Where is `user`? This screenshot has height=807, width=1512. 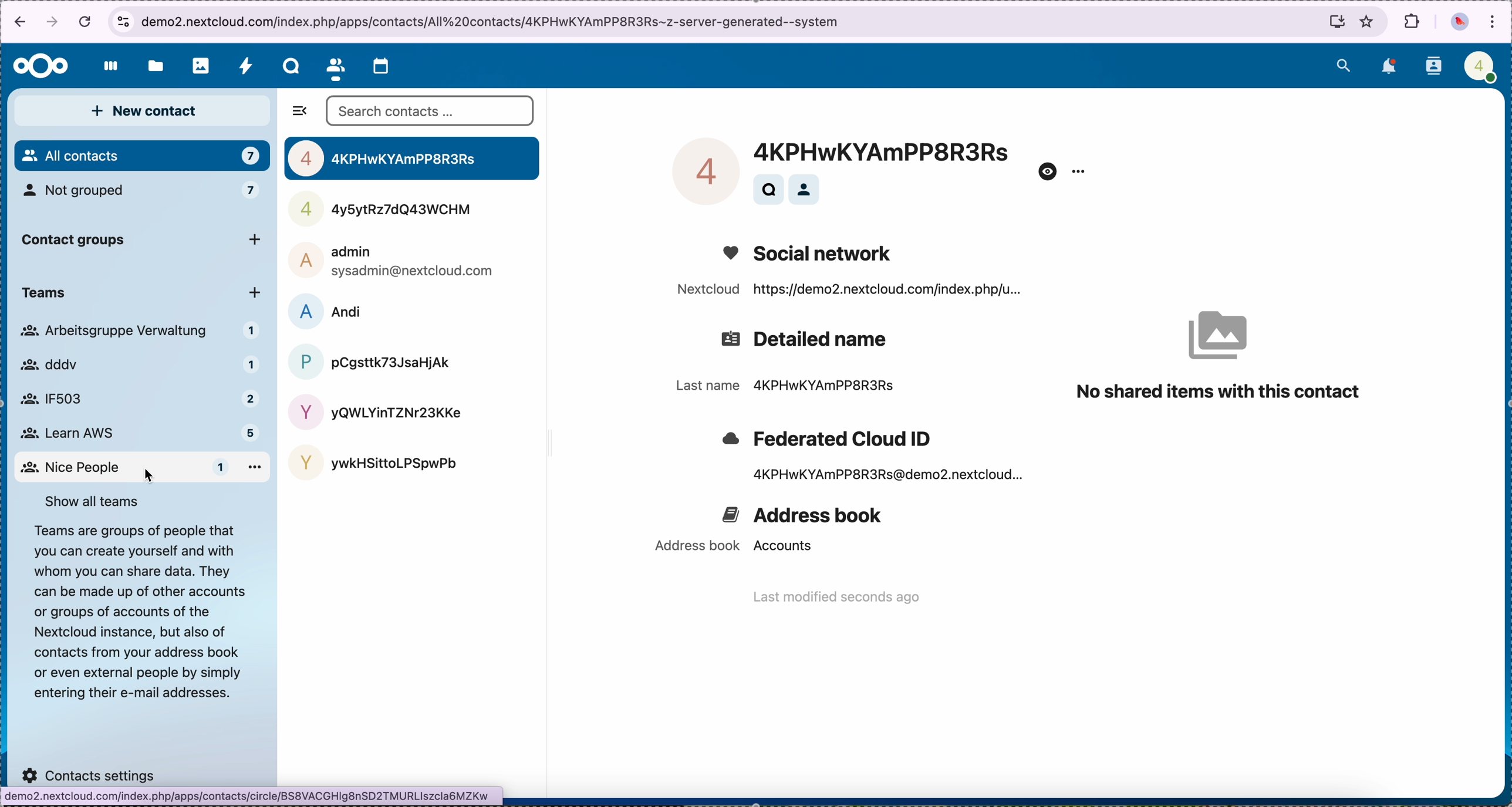 user is located at coordinates (412, 158).